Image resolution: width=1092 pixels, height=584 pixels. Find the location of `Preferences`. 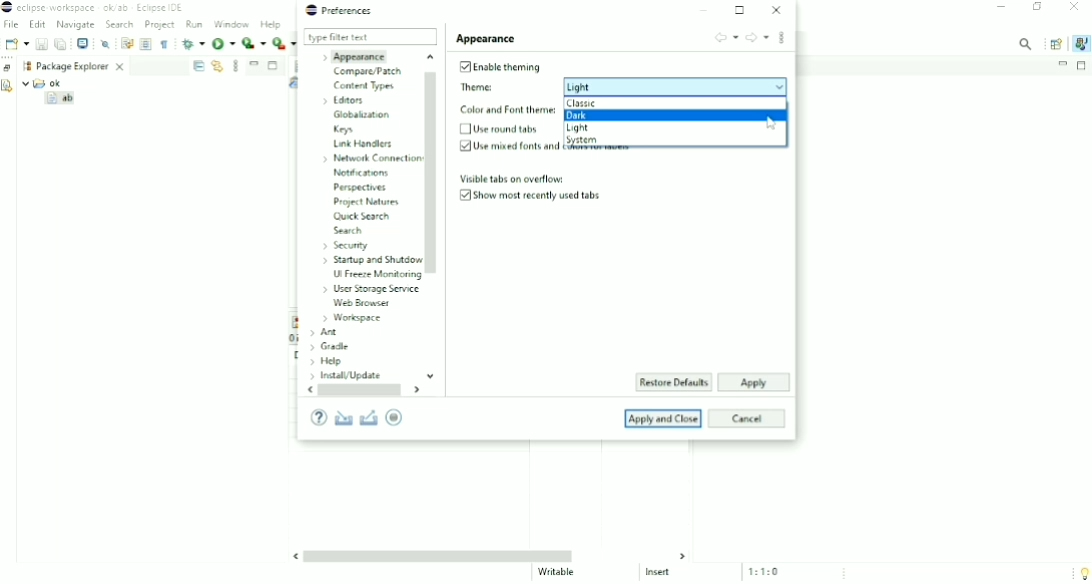

Preferences is located at coordinates (340, 10).